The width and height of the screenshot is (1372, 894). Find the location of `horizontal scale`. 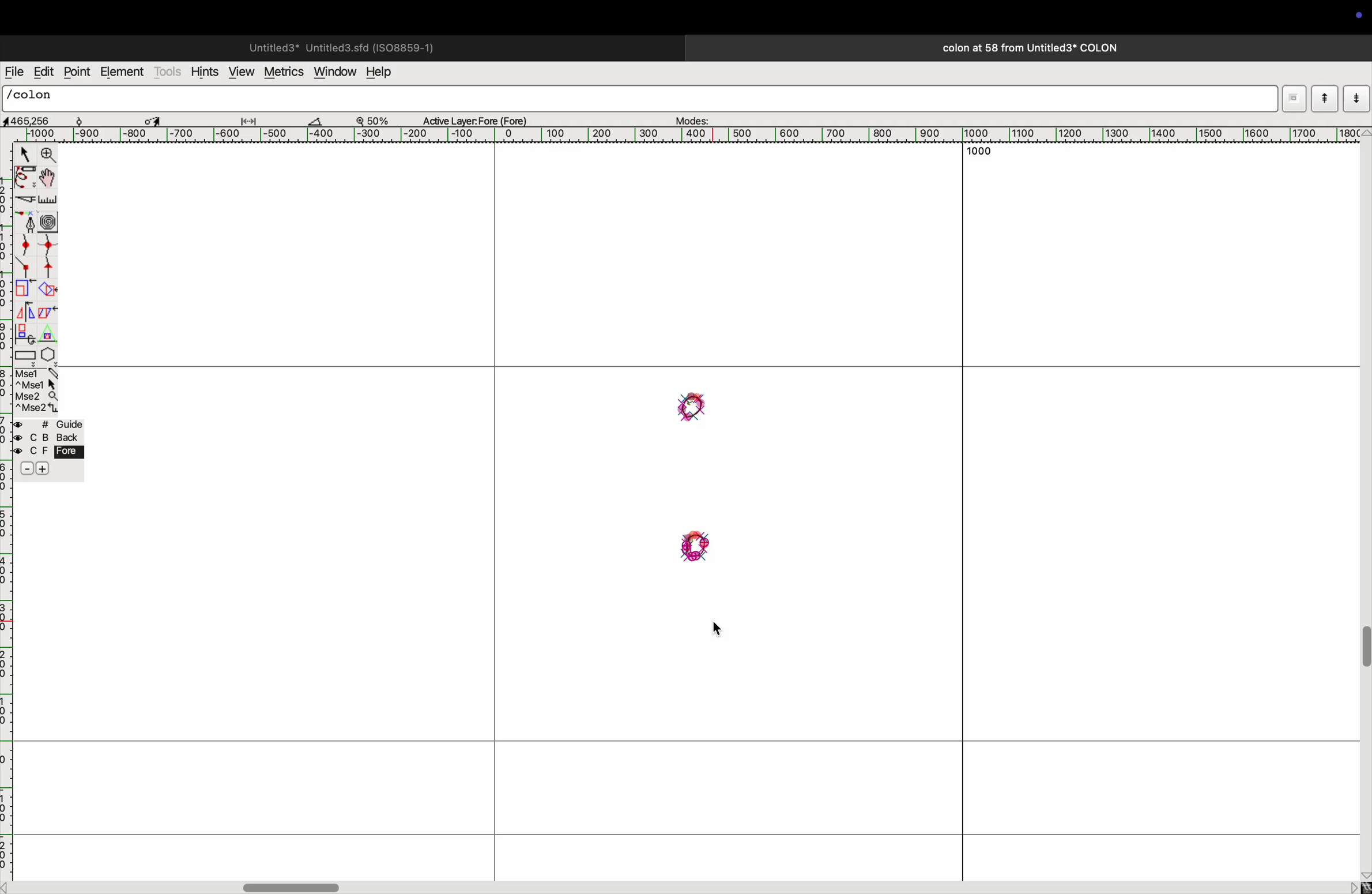

horizontal scale is located at coordinates (701, 135).